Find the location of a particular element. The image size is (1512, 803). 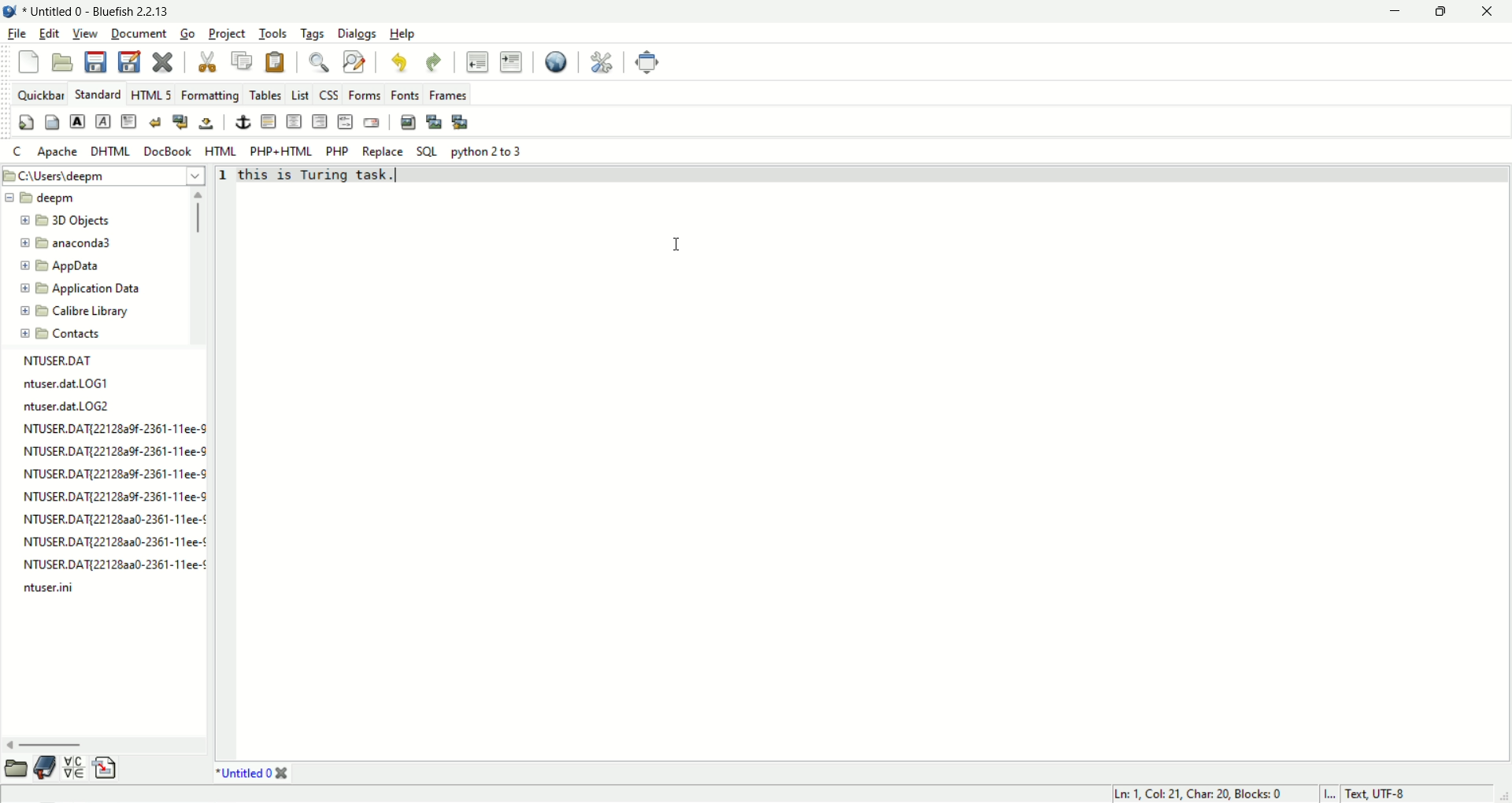

center is located at coordinates (295, 122).